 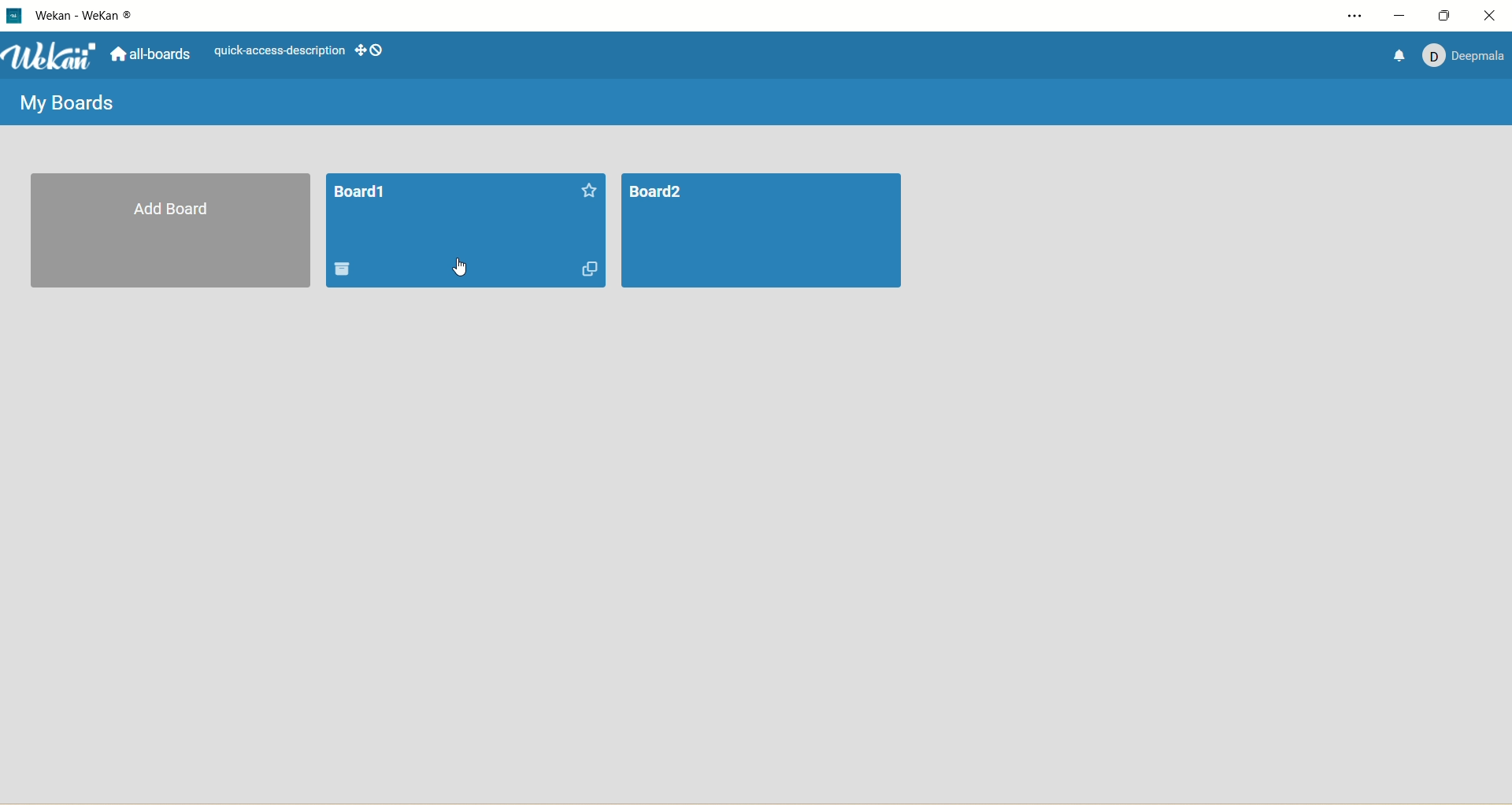 What do you see at coordinates (280, 51) in the screenshot?
I see `text` at bounding box center [280, 51].